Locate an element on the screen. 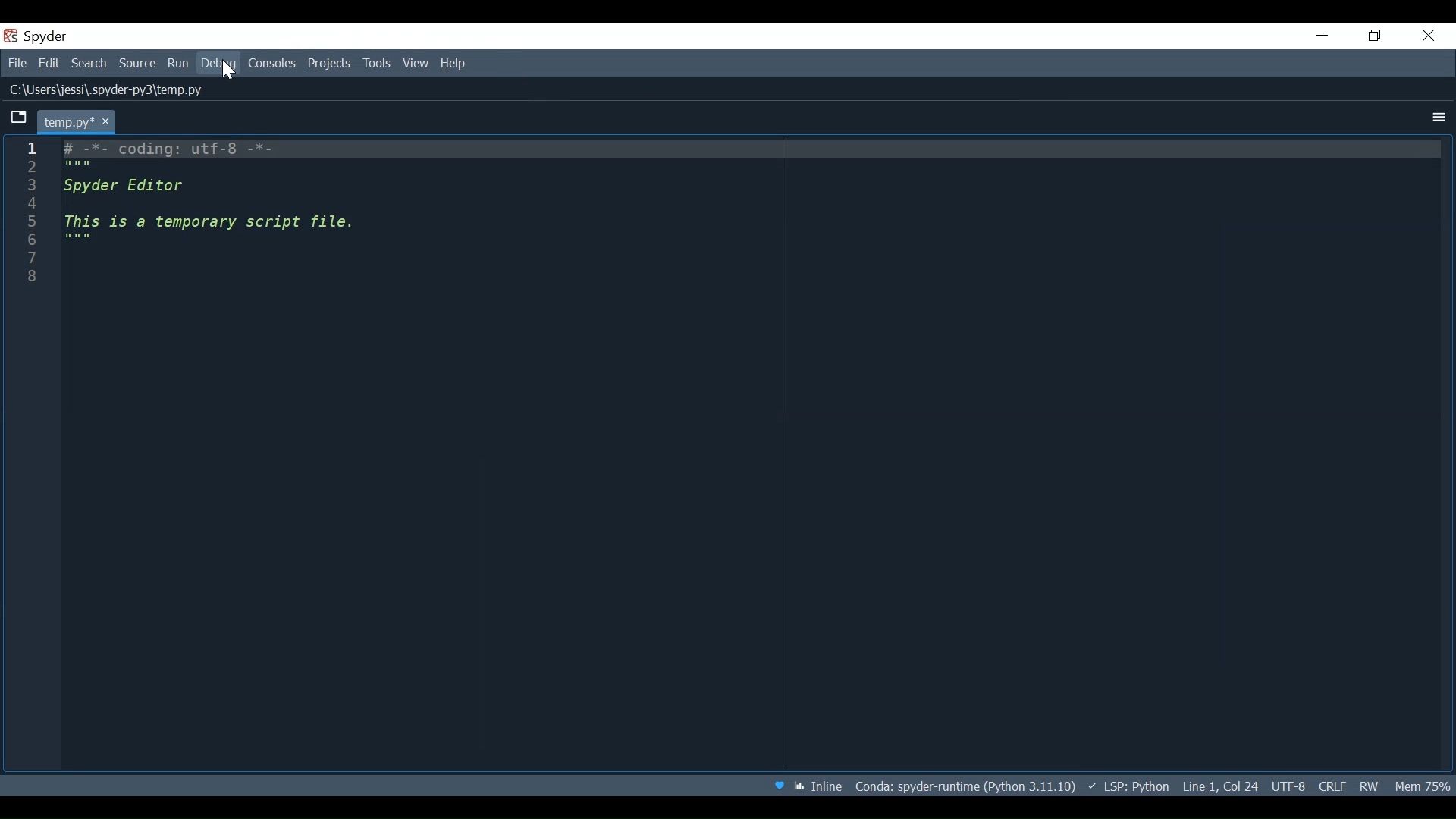 The height and width of the screenshot is (819, 1456). View is located at coordinates (416, 65).